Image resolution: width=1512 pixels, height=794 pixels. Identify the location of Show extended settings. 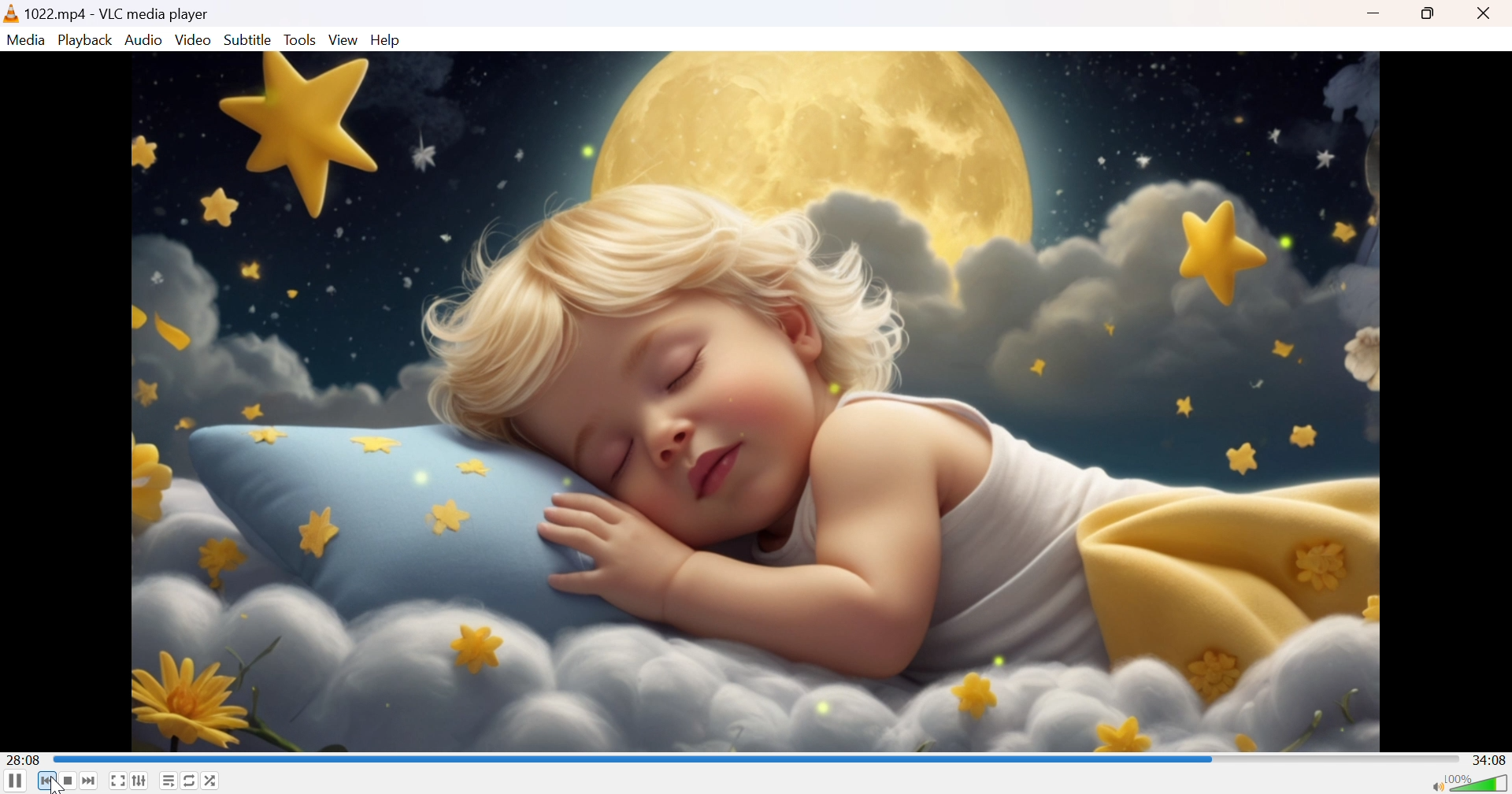
(139, 781).